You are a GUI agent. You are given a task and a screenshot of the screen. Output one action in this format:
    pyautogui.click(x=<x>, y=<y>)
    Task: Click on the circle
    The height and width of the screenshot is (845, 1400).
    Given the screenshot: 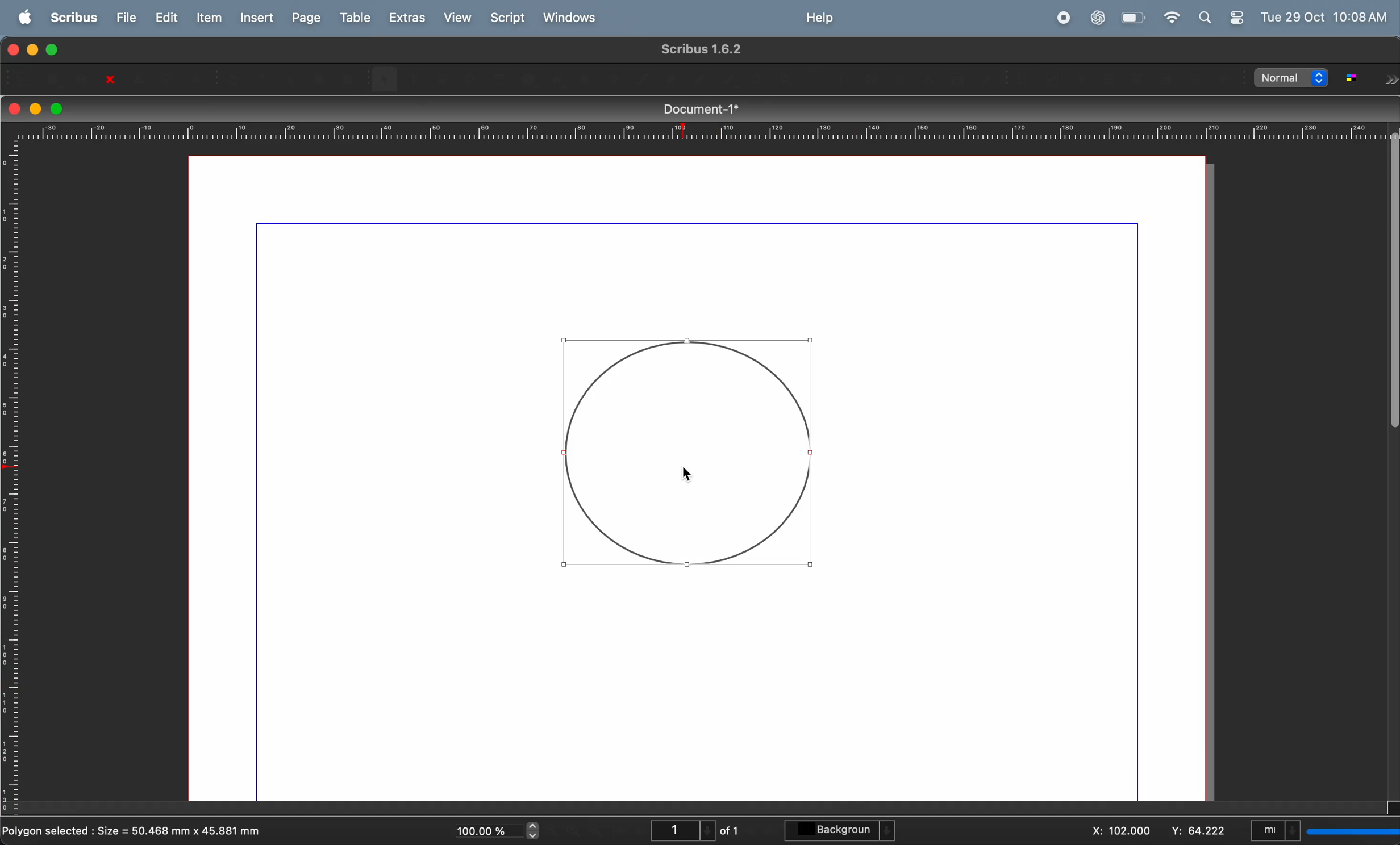 What is the action you would take?
    pyautogui.click(x=688, y=449)
    